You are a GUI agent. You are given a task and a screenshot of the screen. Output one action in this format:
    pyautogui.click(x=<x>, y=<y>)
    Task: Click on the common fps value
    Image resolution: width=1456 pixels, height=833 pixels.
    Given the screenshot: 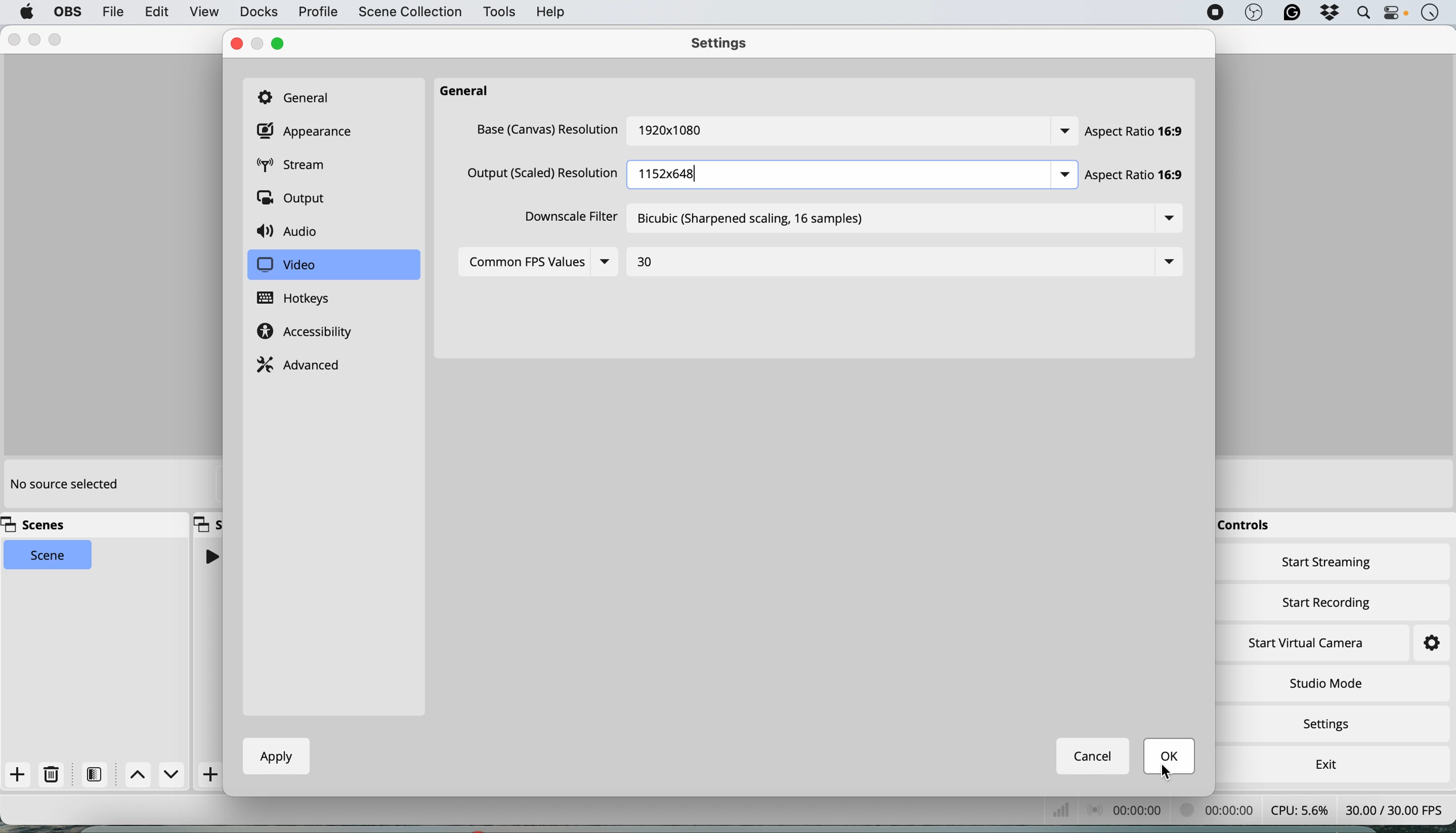 What is the action you would take?
    pyautogui.click(x=522, y=263)
    